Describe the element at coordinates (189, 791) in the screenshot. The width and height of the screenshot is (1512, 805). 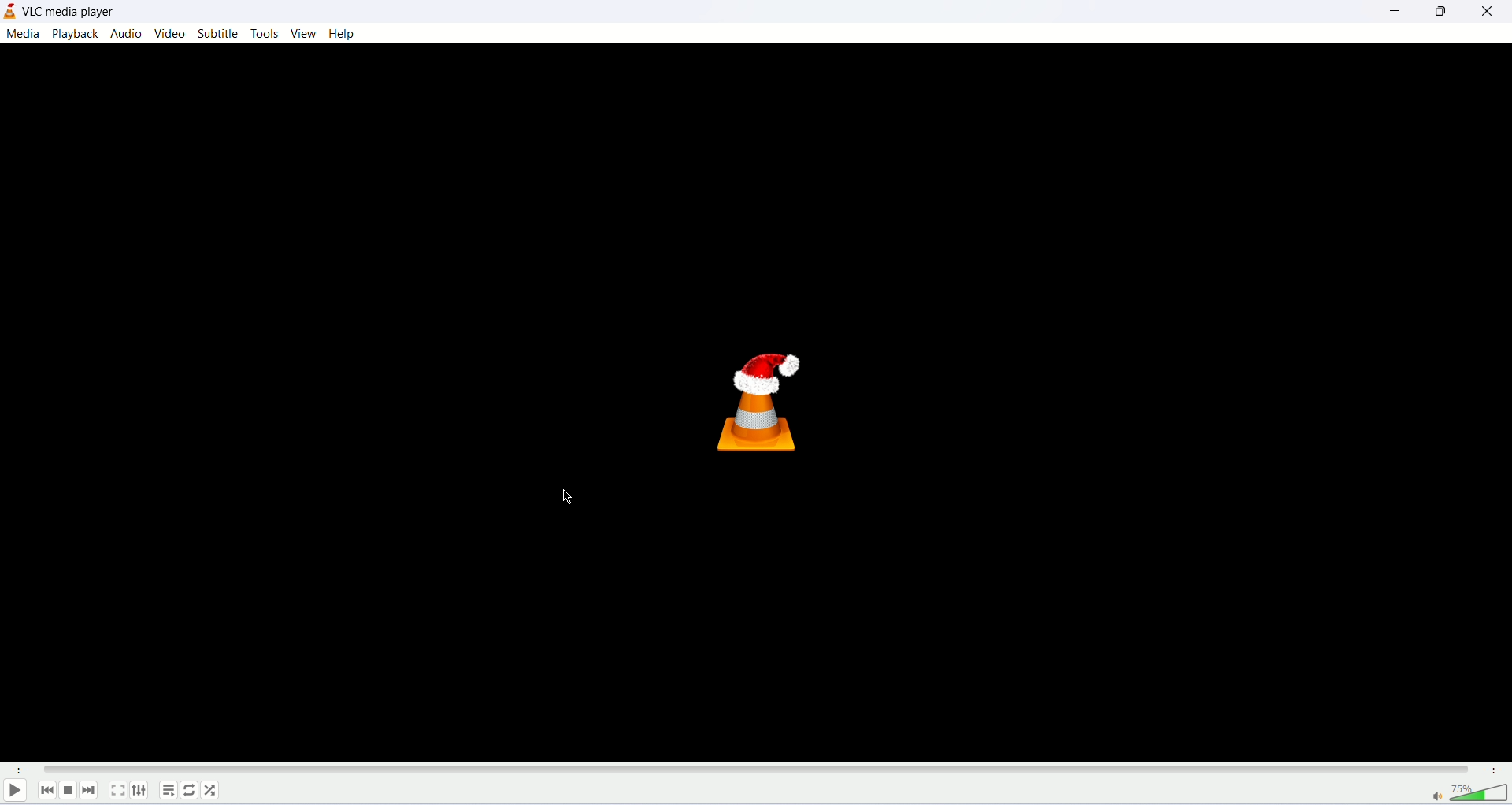
I see `toggle loop` at that location.